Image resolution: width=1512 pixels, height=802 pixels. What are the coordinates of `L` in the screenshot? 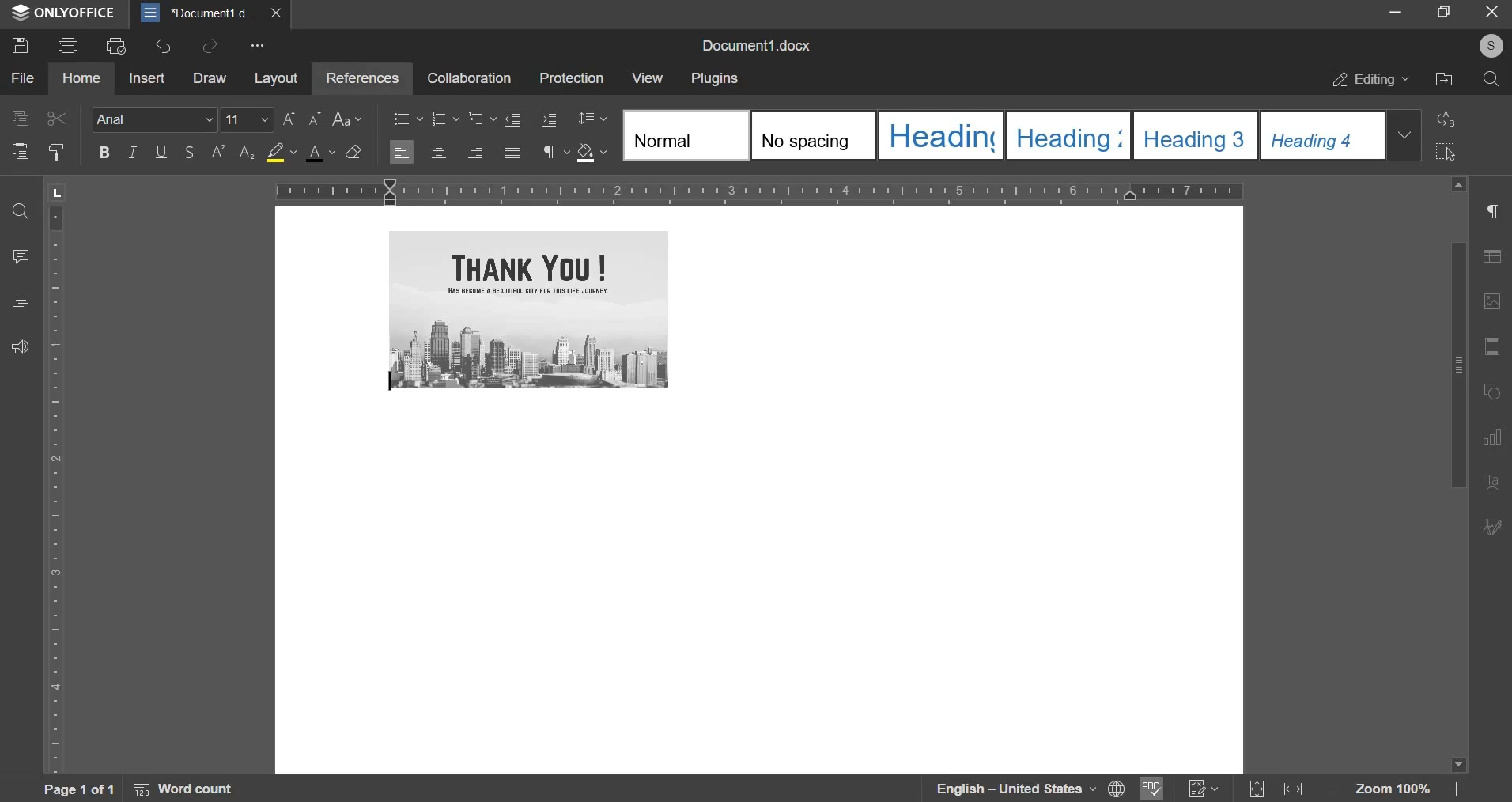 It's located at (59, 191).